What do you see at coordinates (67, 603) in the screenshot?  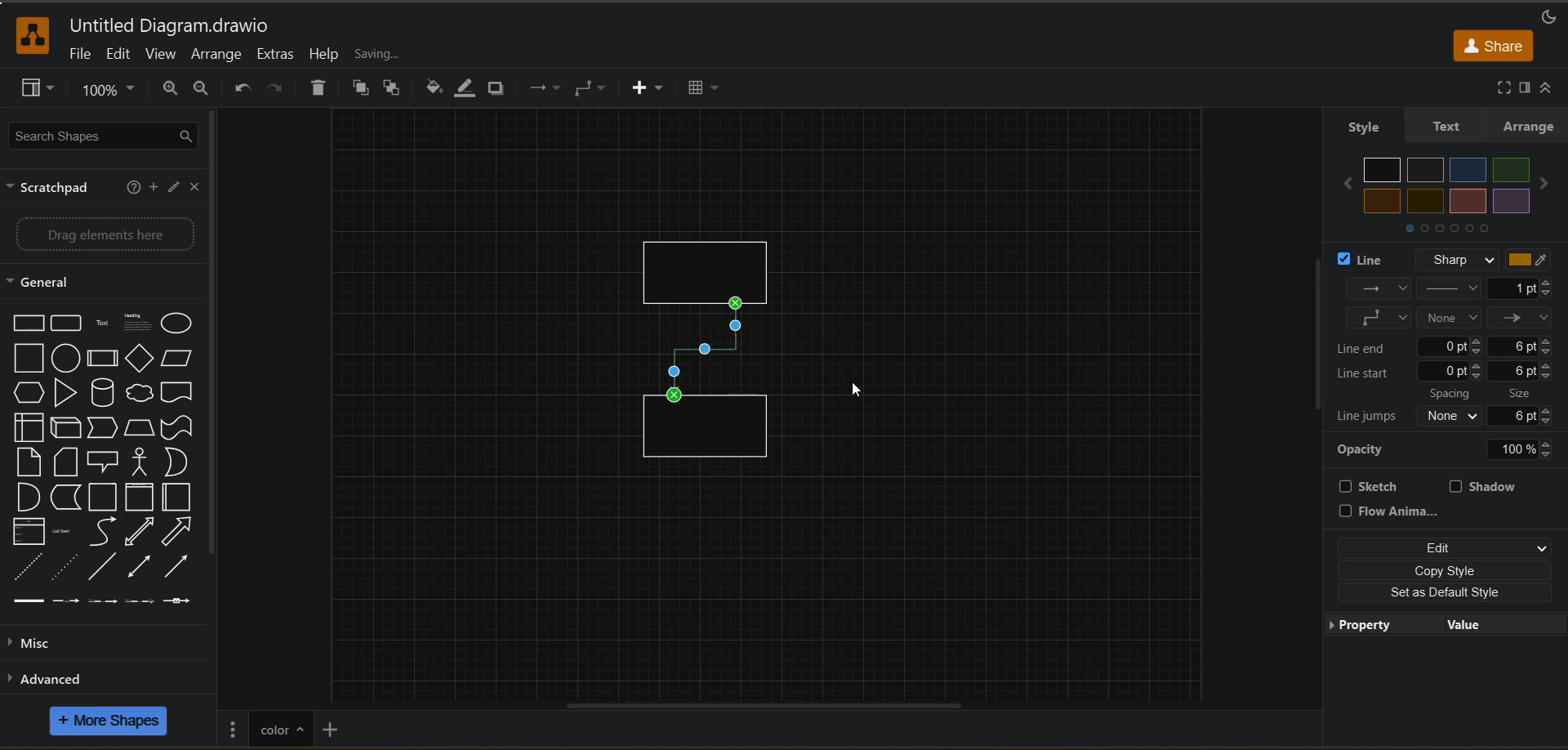 I see `Connector with label` at bounding box center [67, 603].